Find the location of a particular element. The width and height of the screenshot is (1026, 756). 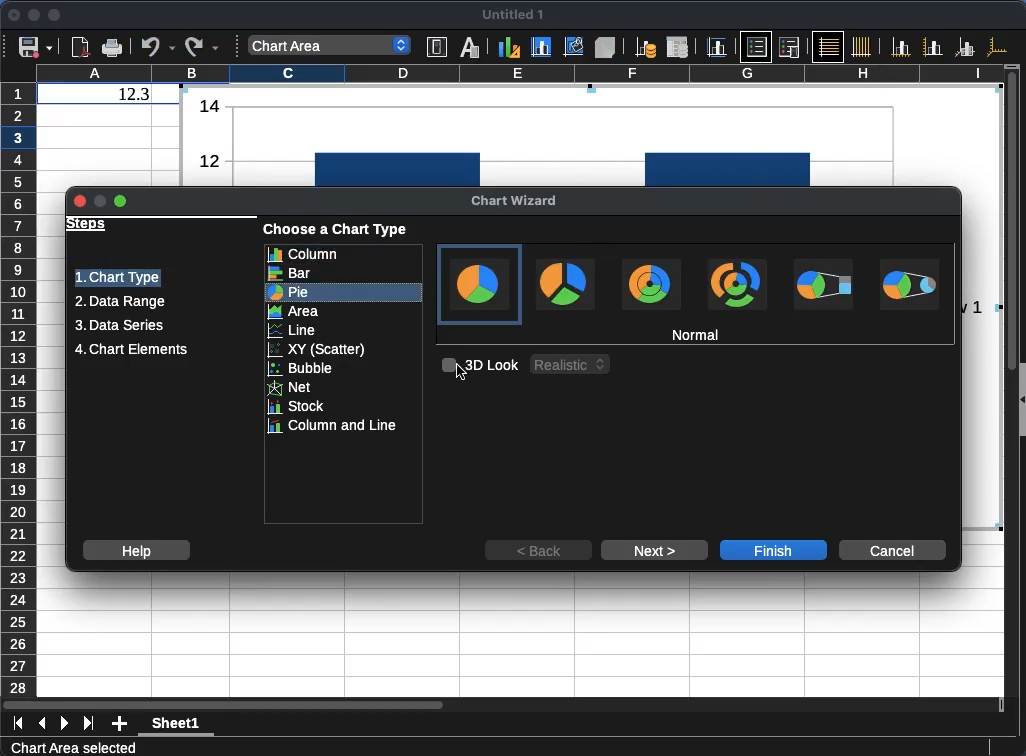

3D view is located at coordinates (605, 47).